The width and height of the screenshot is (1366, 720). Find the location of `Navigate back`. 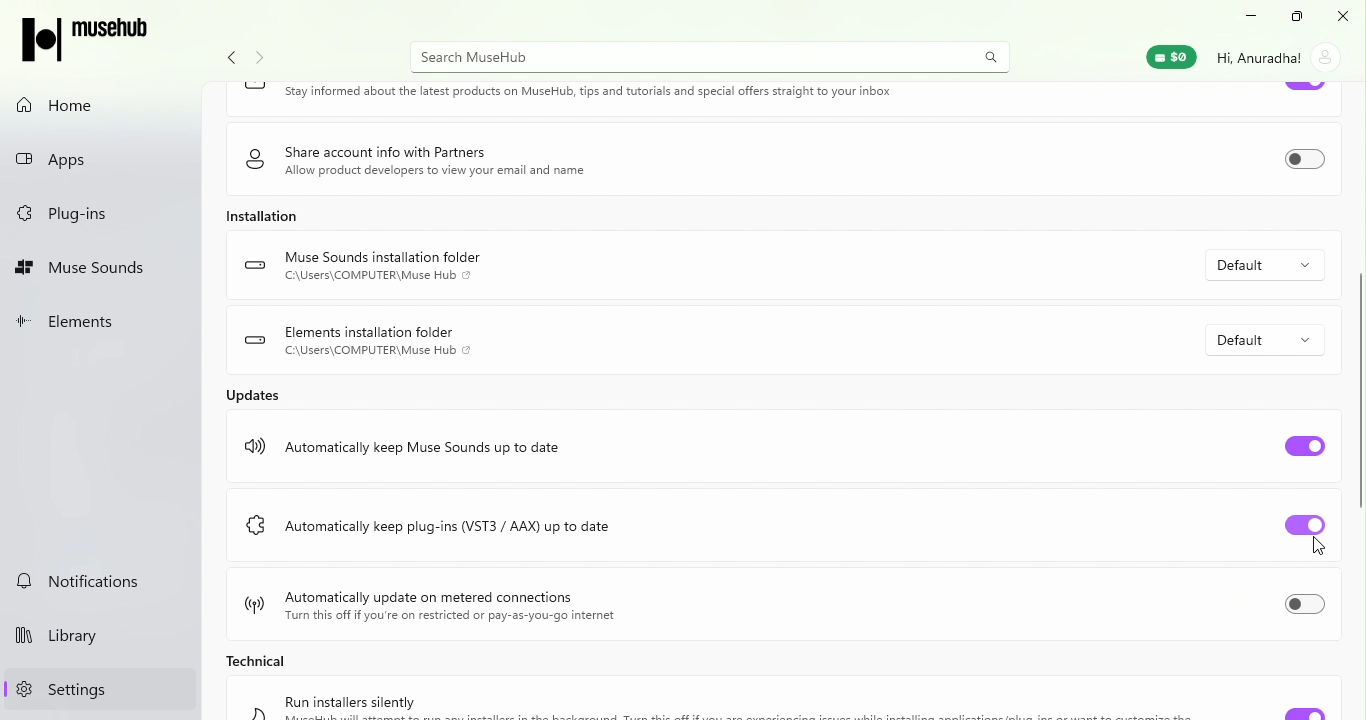

Navigate back is located at coordinates (230, 58).